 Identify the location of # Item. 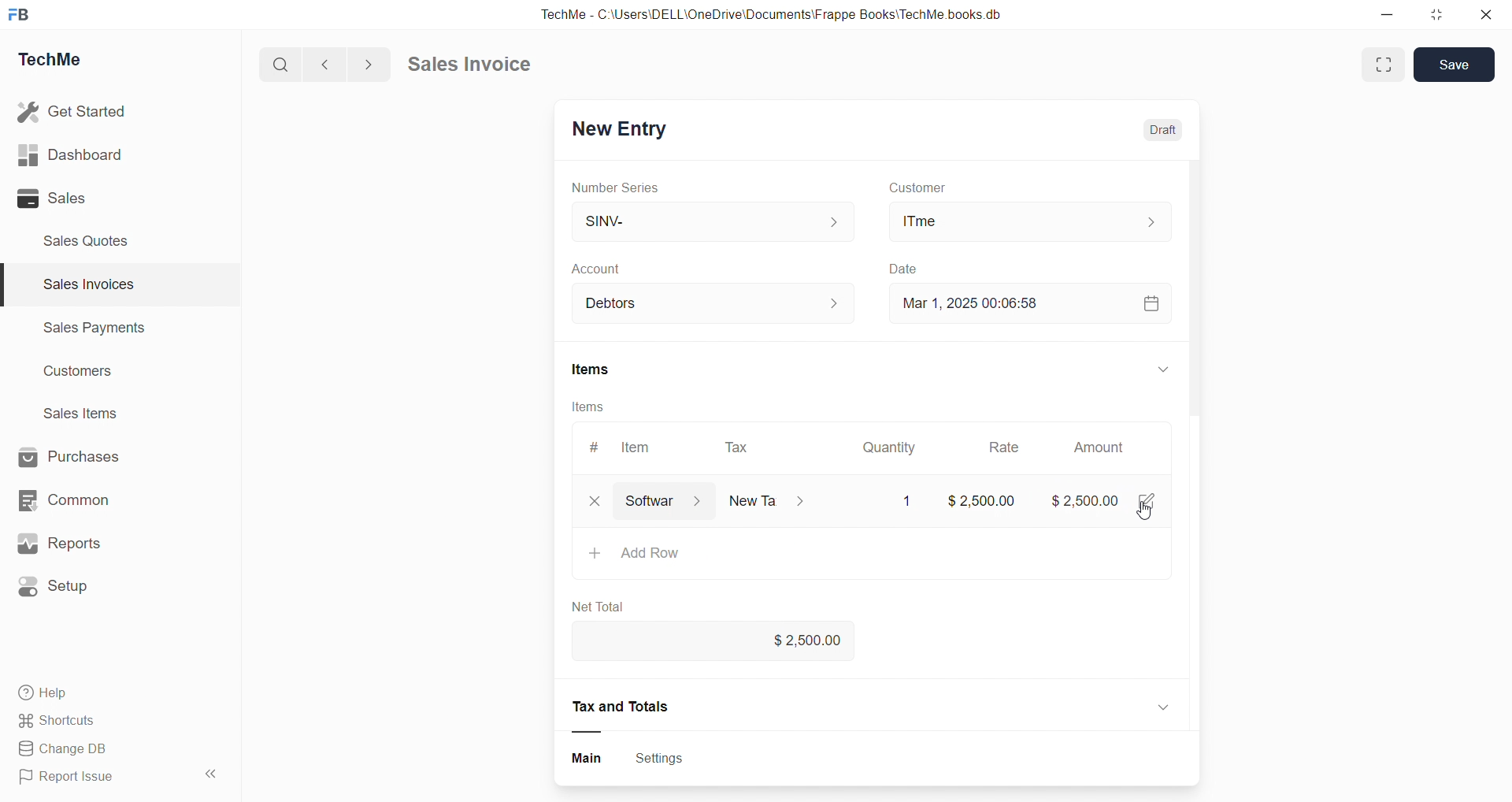
(630, 447).